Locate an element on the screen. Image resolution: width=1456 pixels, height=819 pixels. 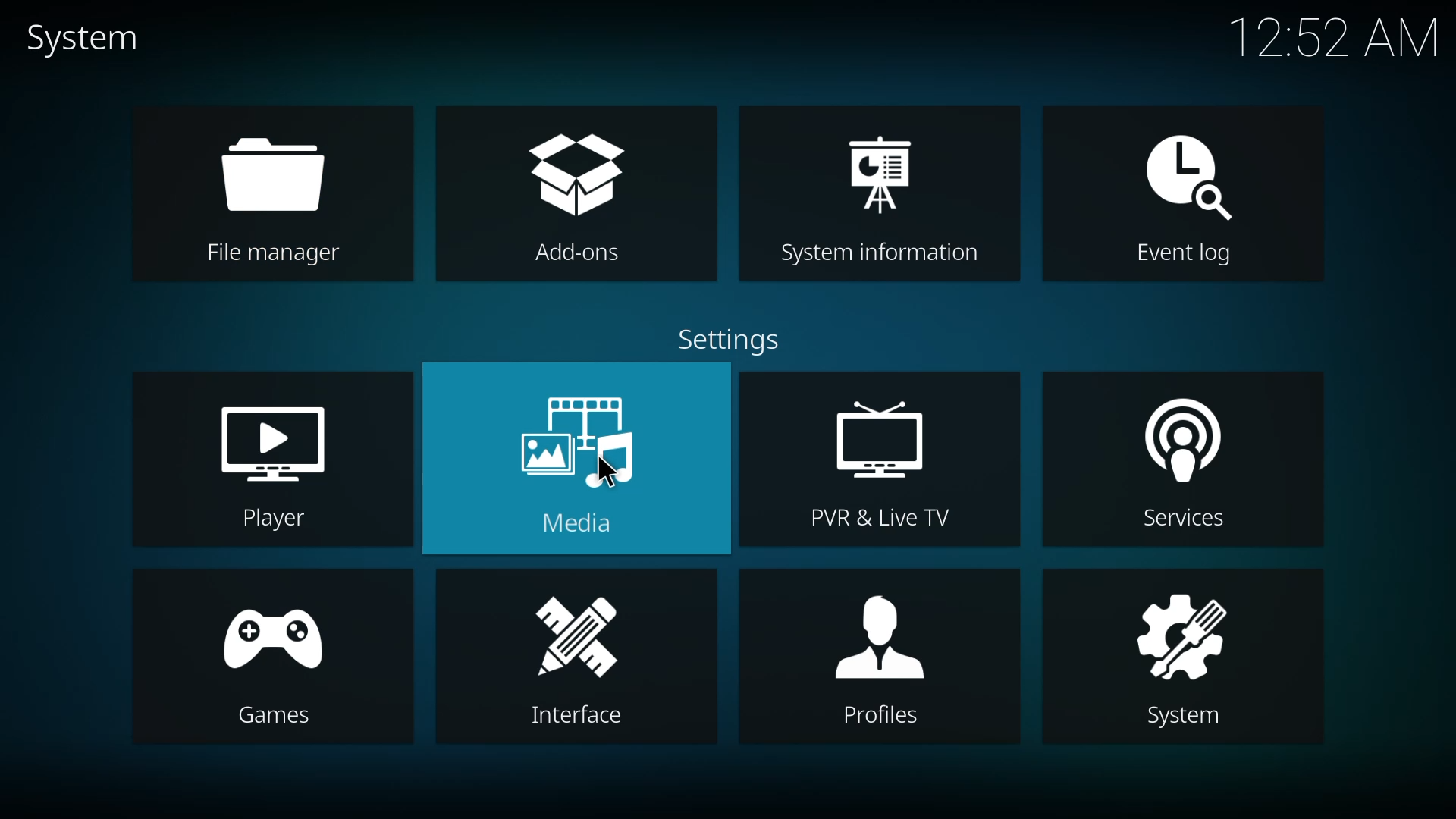
add-ons is located at coordinates (583, 173).